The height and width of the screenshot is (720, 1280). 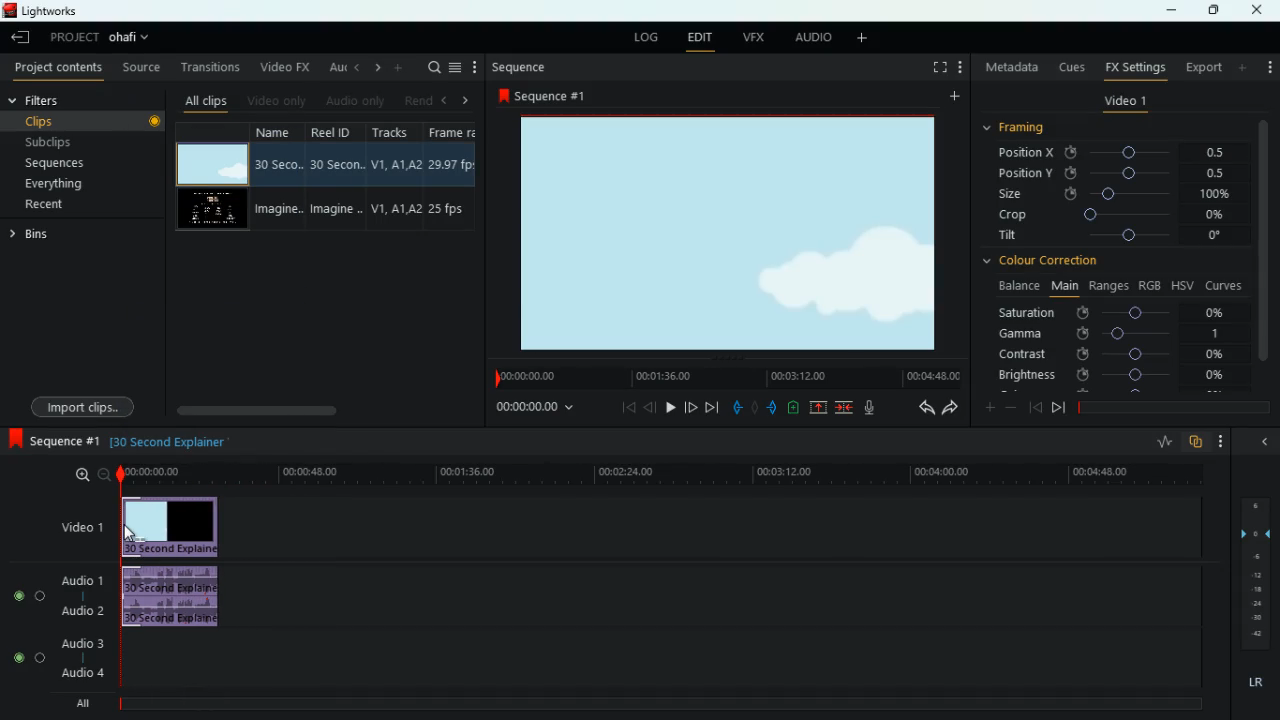 What do you see at coordinates (755, 408) in the screenshot?
I see `hold` at bounding box center [755, 408].